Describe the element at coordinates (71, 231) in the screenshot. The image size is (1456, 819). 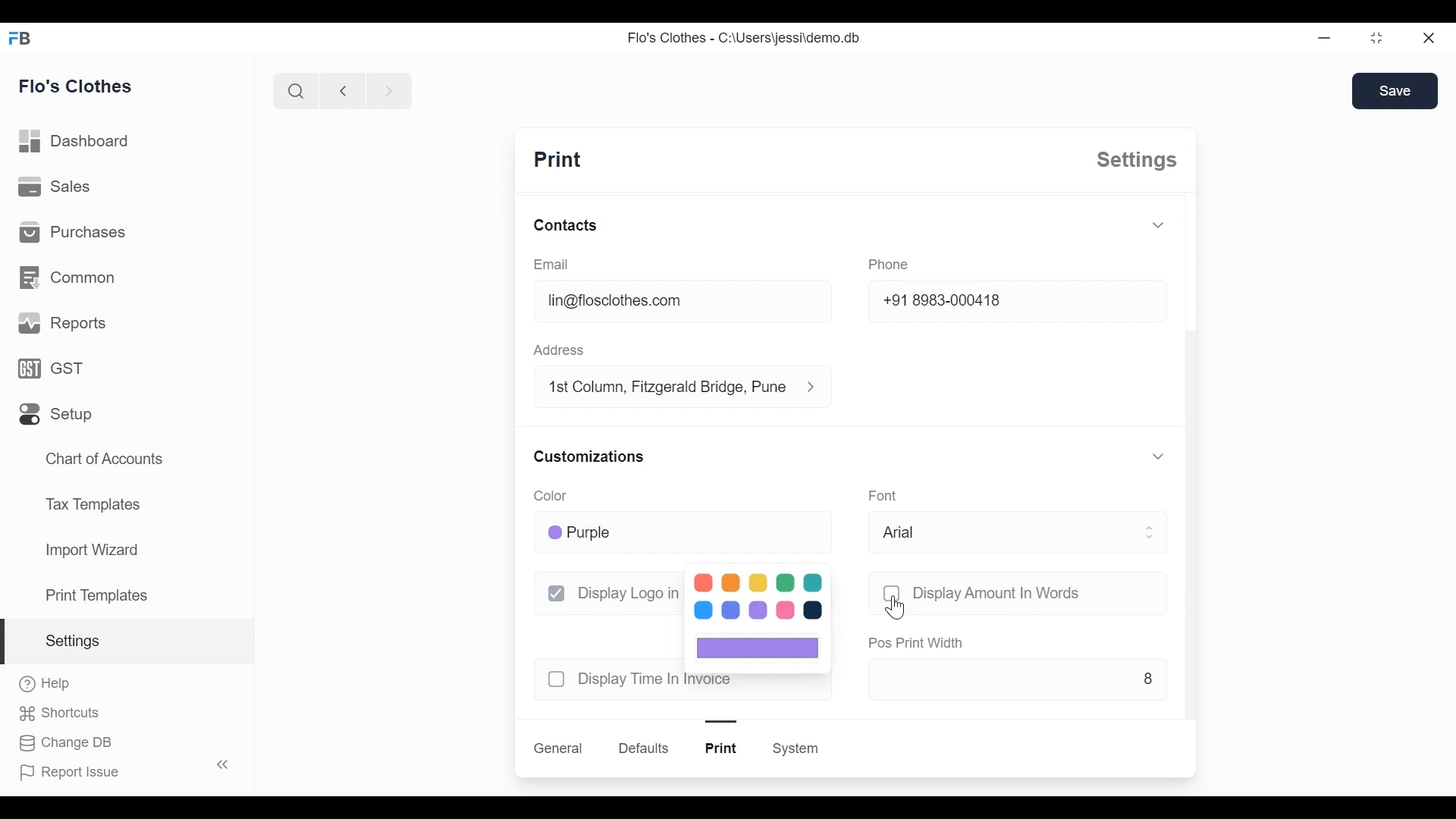
I see `purchases` at that location.